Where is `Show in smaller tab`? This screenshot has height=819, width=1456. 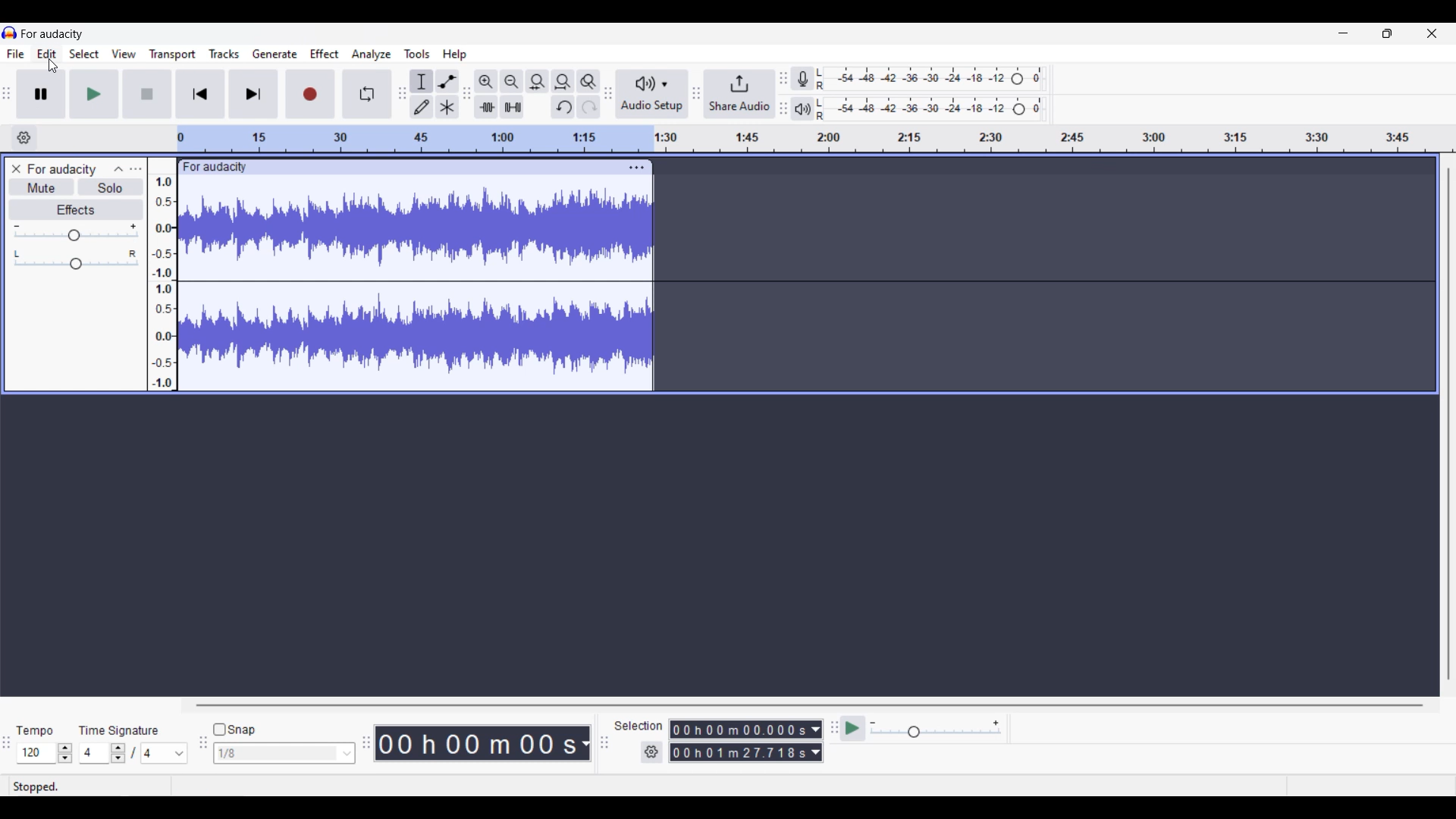
Show in smaller tab is located at coordinates (1387, 33).